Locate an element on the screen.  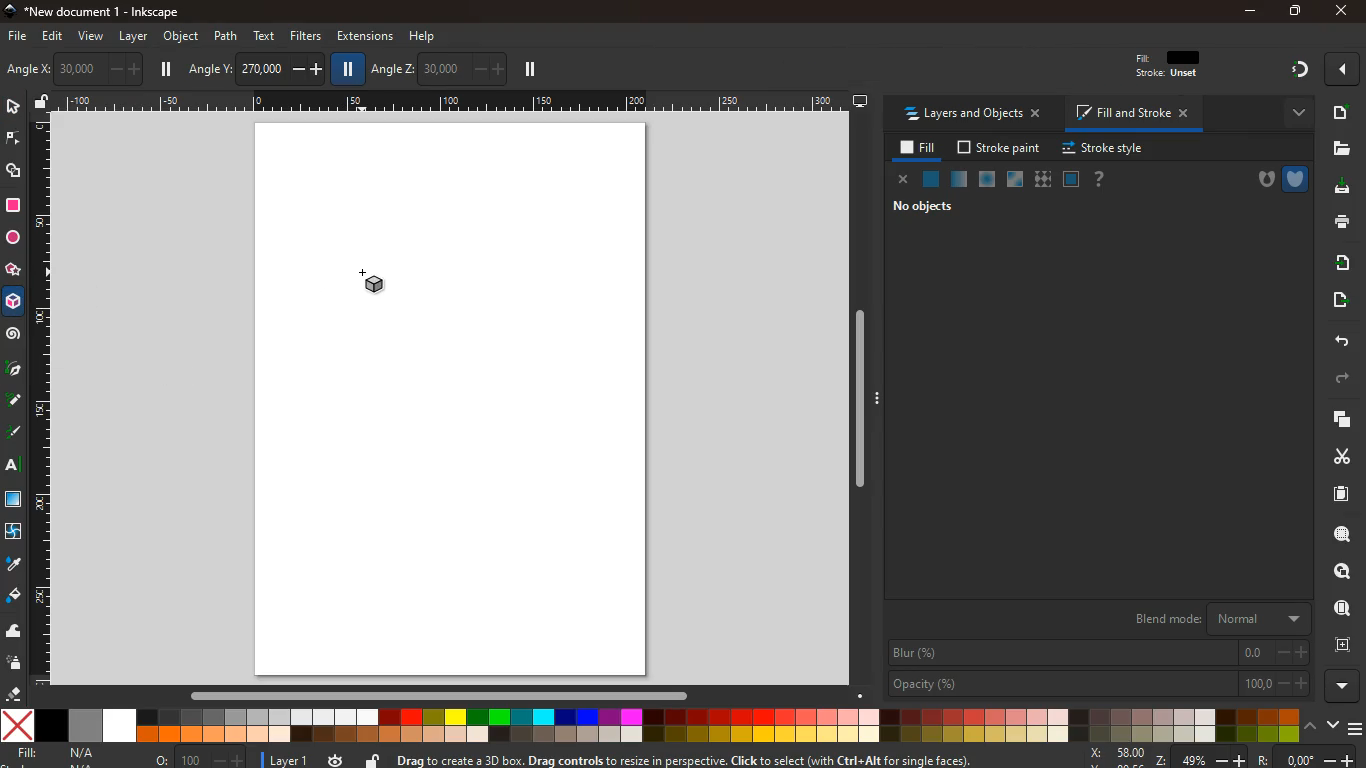
close is located at coordinates (1339, 12).